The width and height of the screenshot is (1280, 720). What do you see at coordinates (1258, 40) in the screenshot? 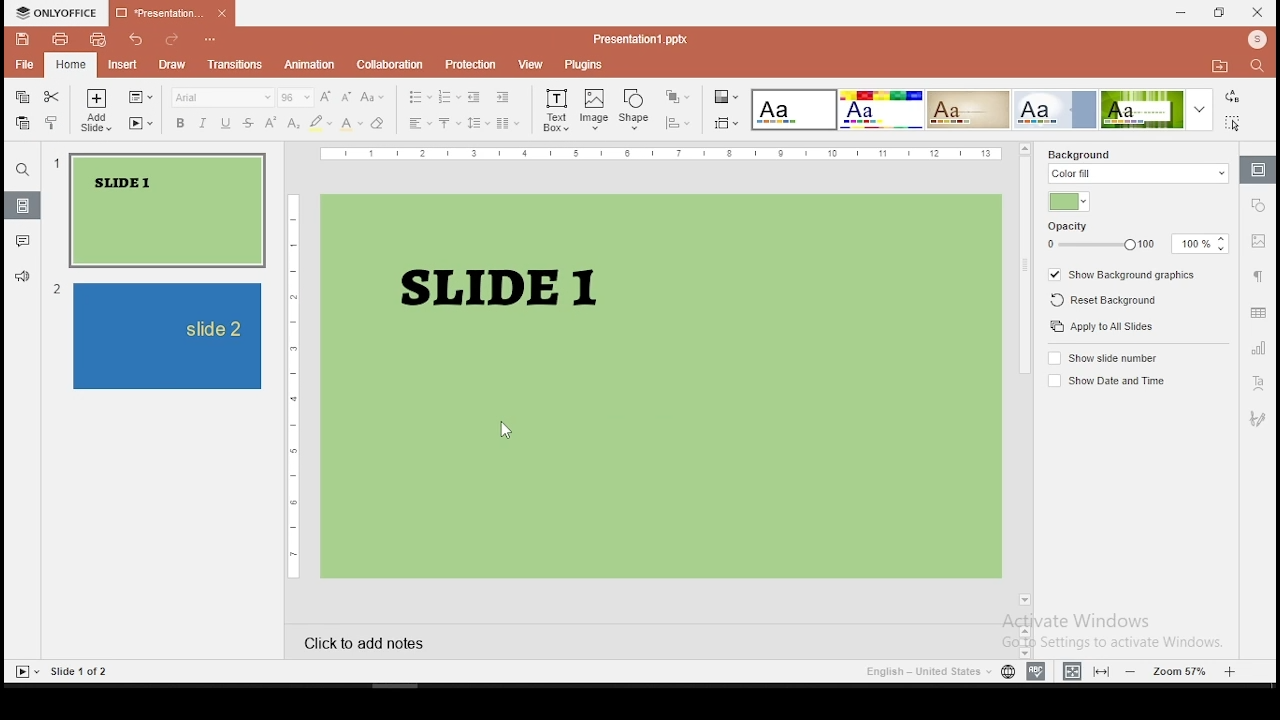
I see `profile` at bounding box center [1258, 40].